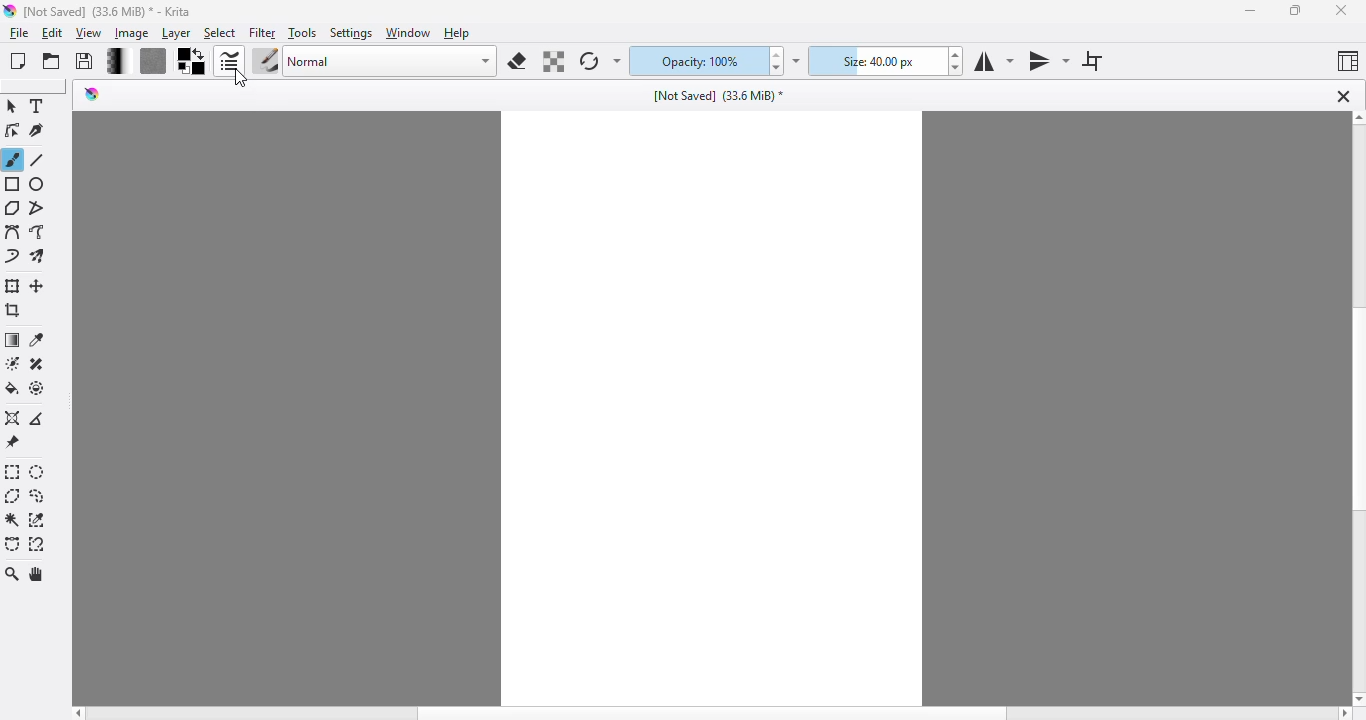  Describe the element at coordinates (18, 61) in the screenshot. I see `create new document` at that location.